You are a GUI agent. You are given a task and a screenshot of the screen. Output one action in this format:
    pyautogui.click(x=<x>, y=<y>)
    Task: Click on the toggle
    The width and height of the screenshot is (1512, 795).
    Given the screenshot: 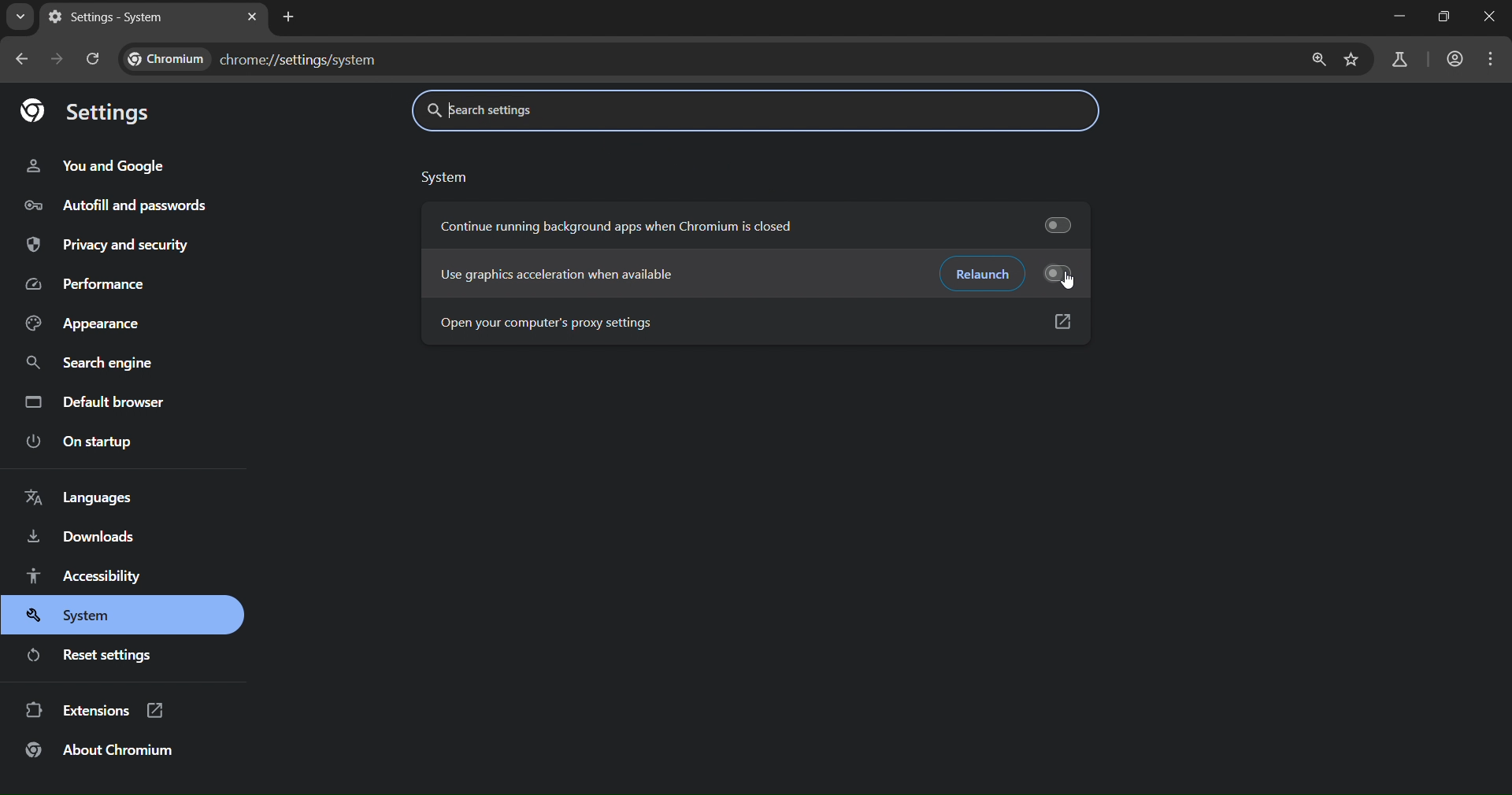 What is the action you would take?
    pyautogui.click(x=1058, y=223)
    